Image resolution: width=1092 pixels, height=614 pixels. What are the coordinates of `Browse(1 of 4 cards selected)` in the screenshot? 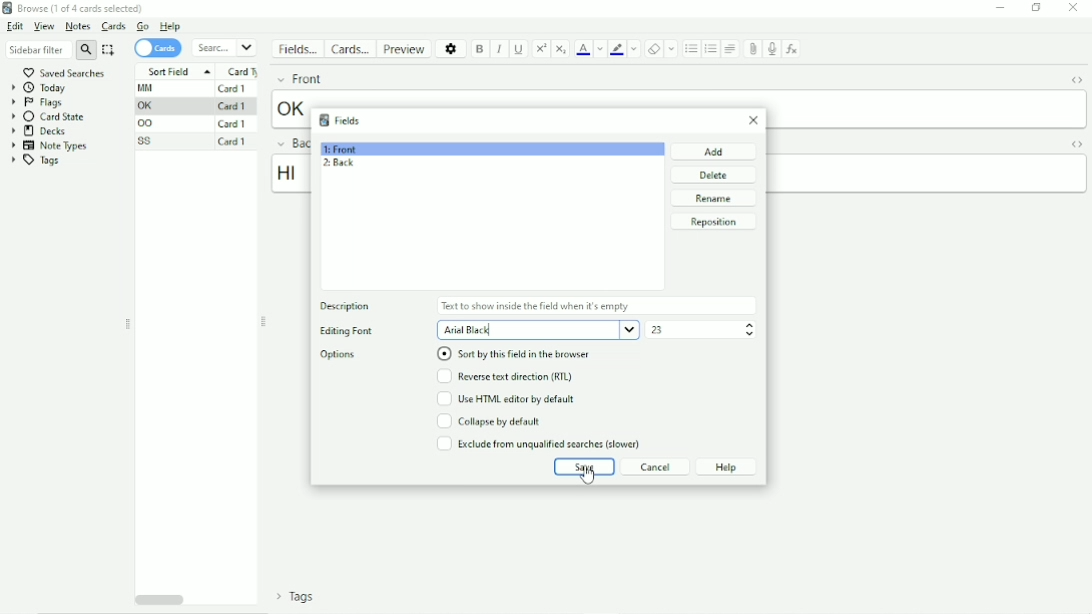 It's located at (76, 8).